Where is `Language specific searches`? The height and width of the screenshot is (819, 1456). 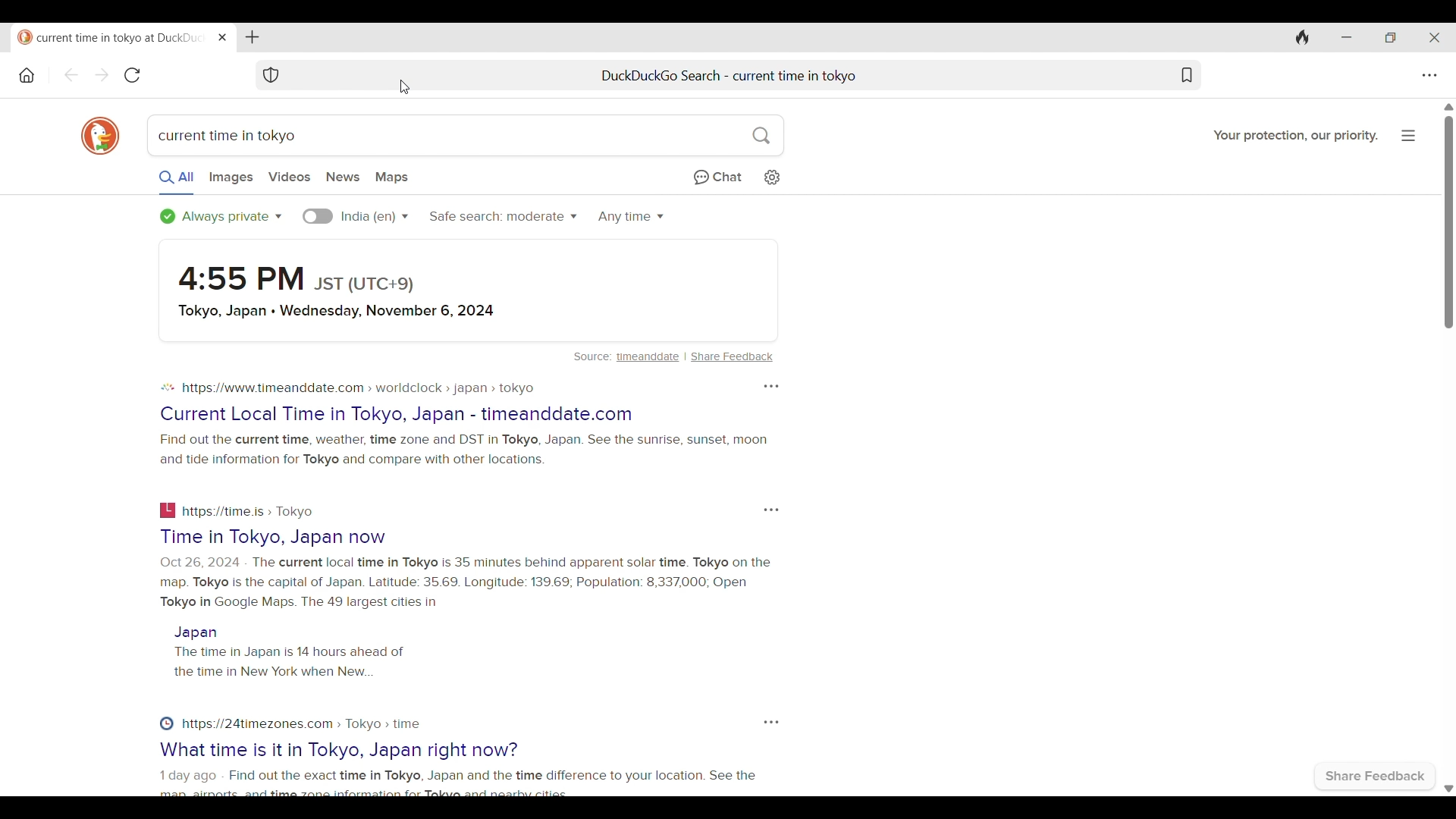
Language specific searches is located at coordinates (318, 216).